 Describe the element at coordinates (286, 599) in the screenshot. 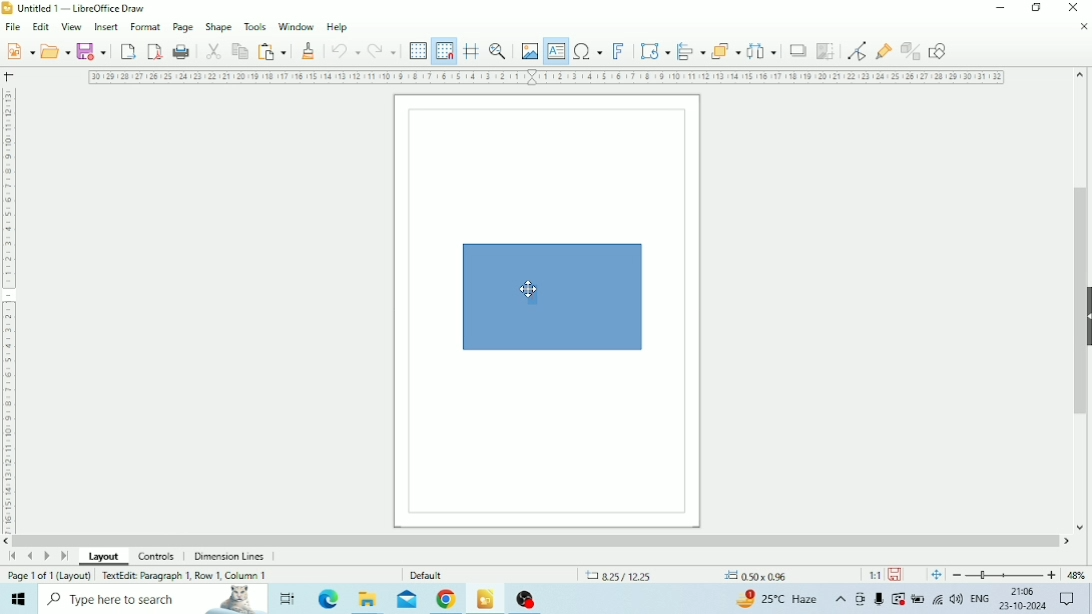

I see `Task View` at that location.